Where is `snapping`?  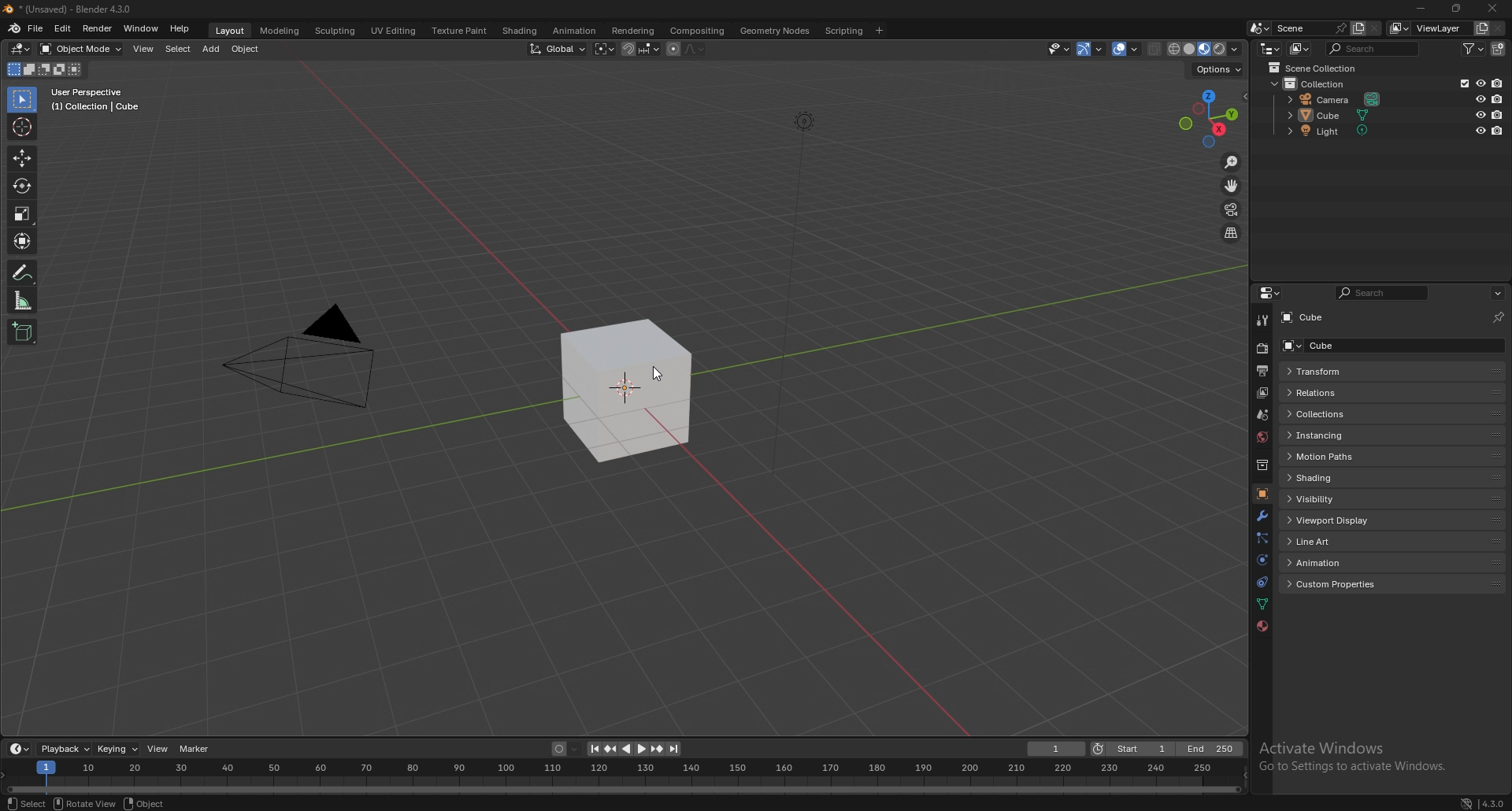
snapping is located at coordinates (641, 50).